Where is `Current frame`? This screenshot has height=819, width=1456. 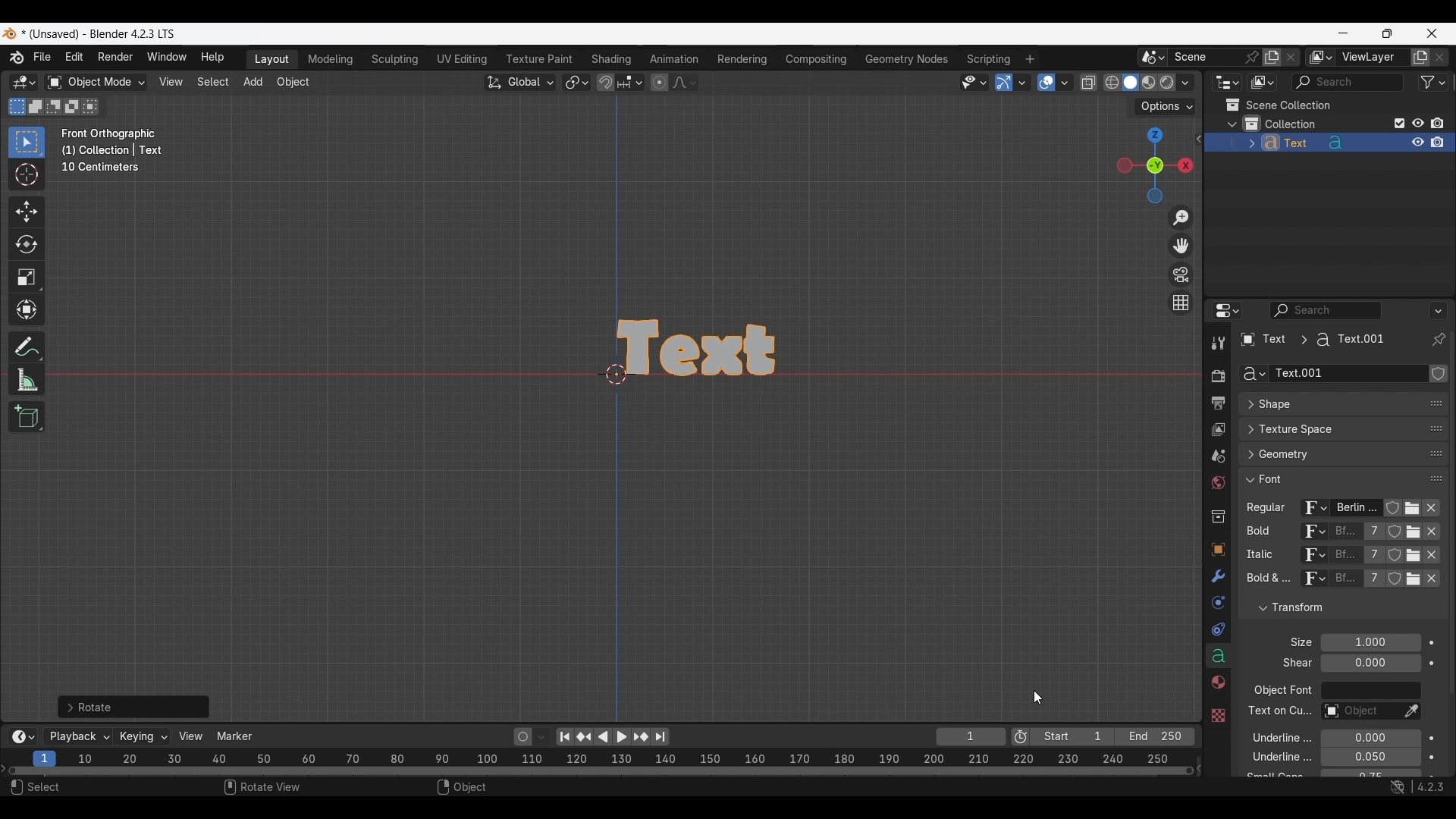
Current frame is located at coordinates (971, 738).